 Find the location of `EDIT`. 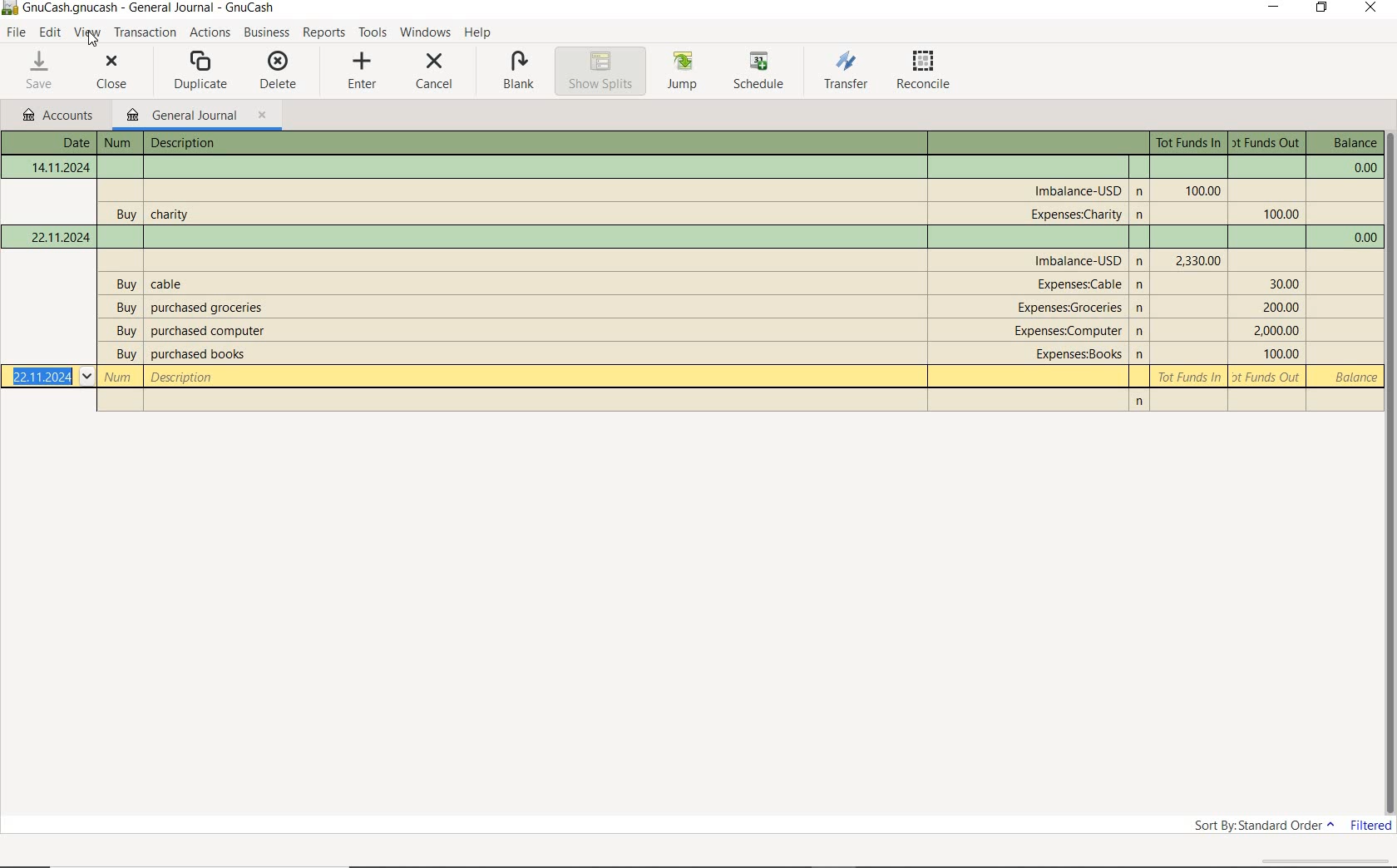

EDIT is located at coordinates (52, 33).